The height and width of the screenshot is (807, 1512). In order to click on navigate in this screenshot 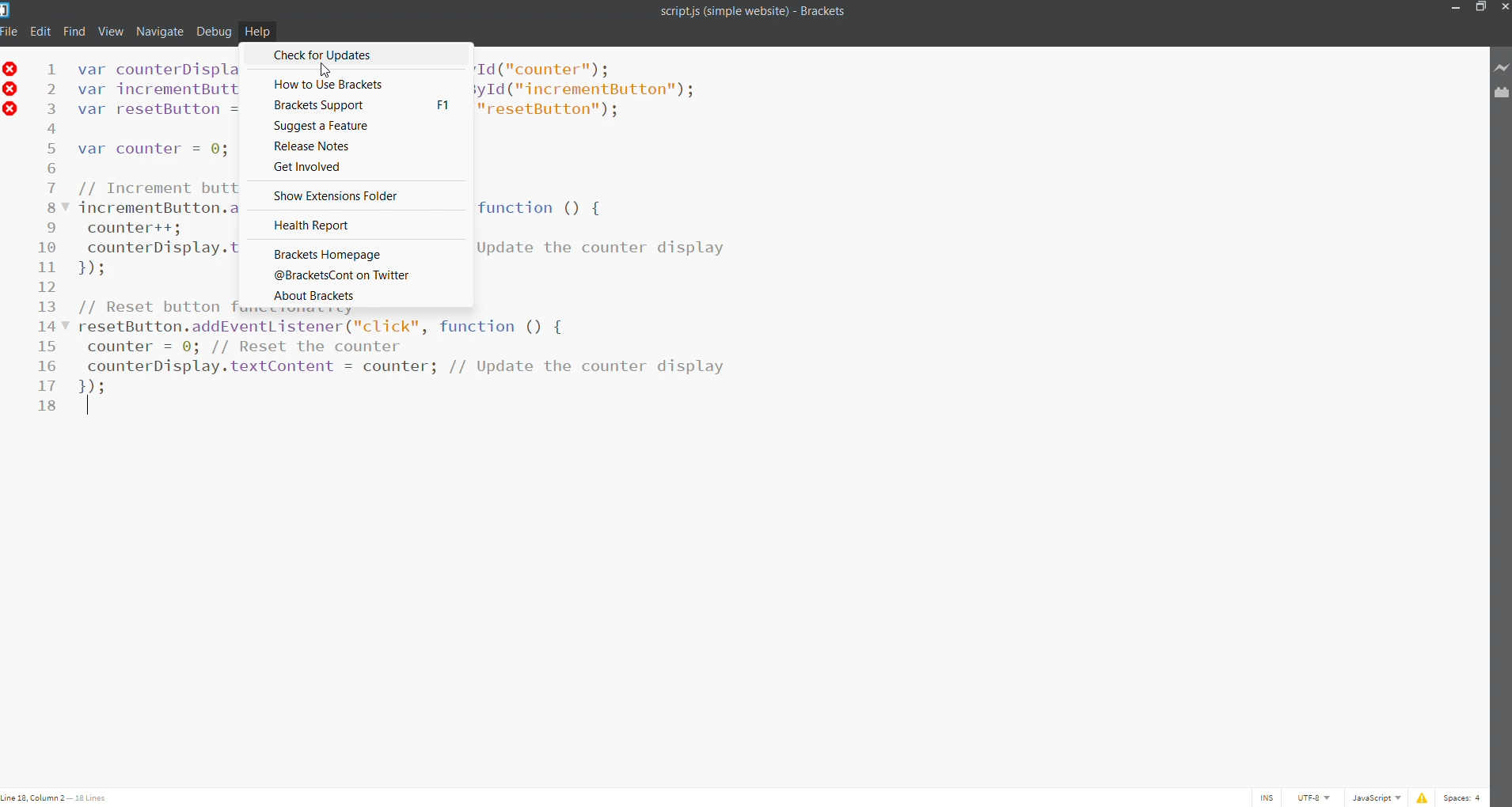, I will do `click(161, 30)`.